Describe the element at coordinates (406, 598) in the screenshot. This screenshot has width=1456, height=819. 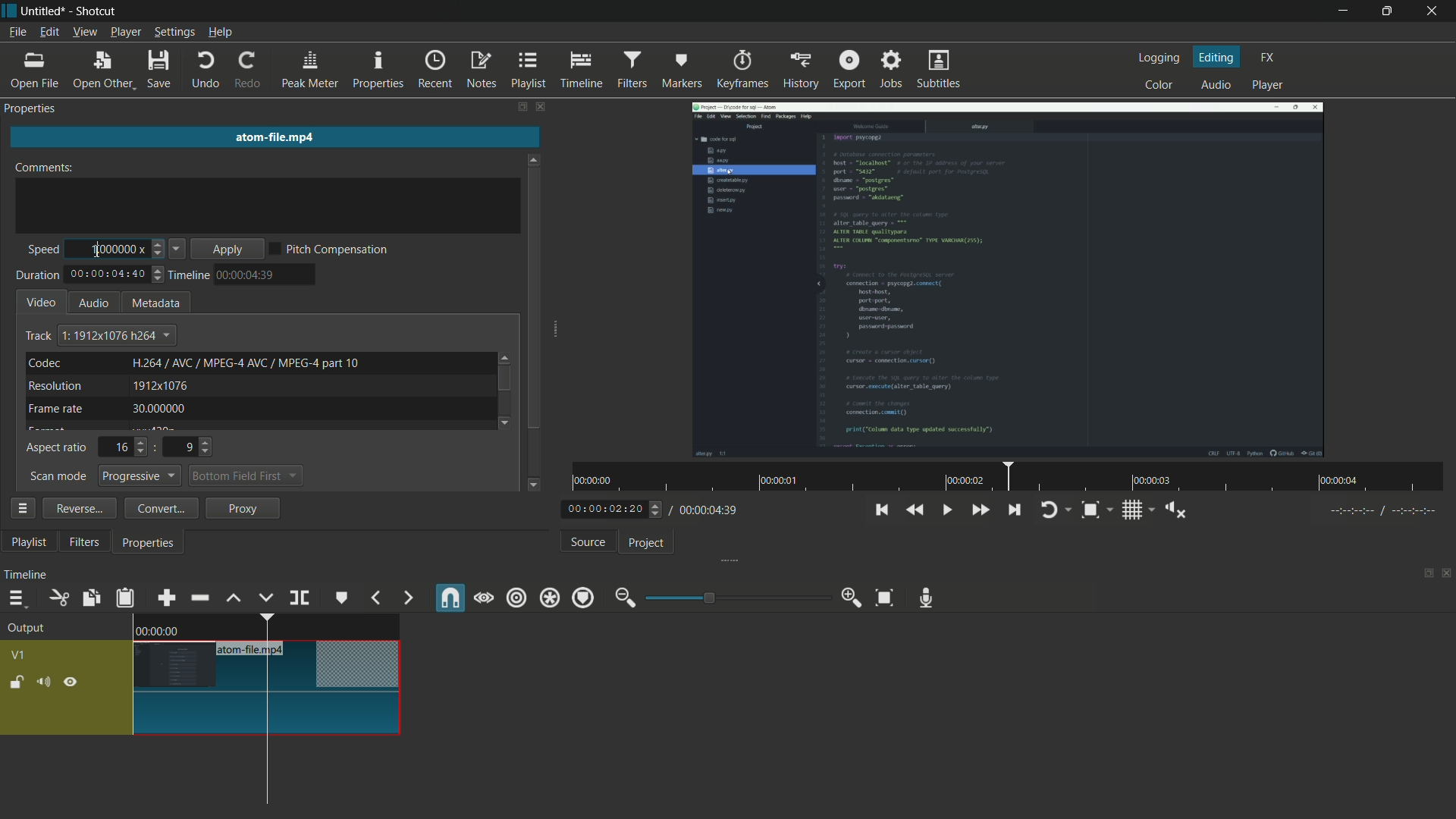
I see `next marker` at that location.